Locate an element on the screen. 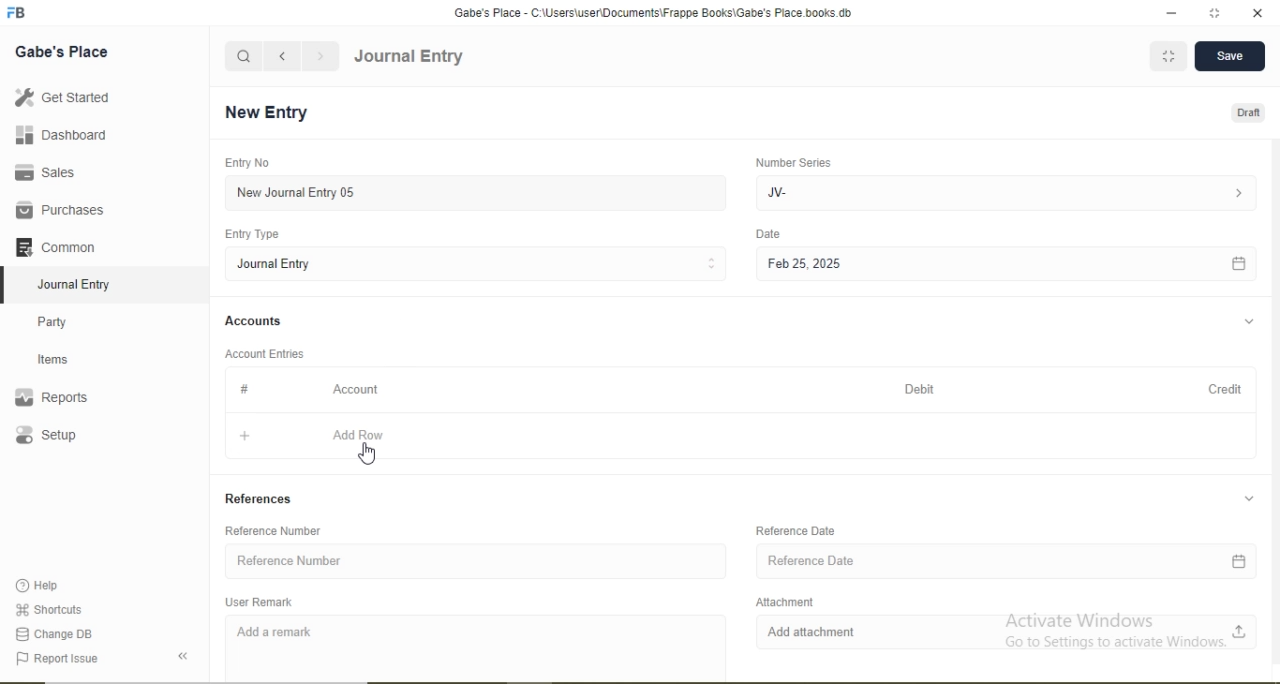 Image resolution: width=1280 pixels, height=684 pixels. Sales is located at coordinates (54, 172).